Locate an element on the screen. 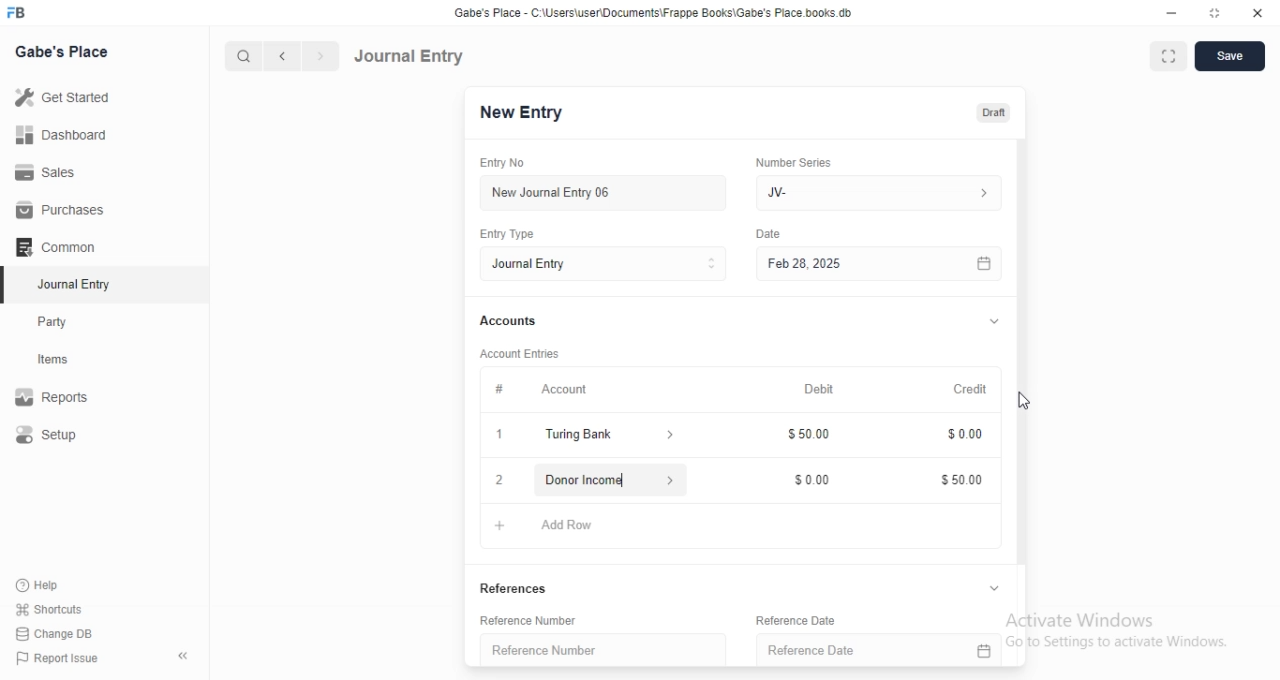  Sales is located at coordinates (64, 171).